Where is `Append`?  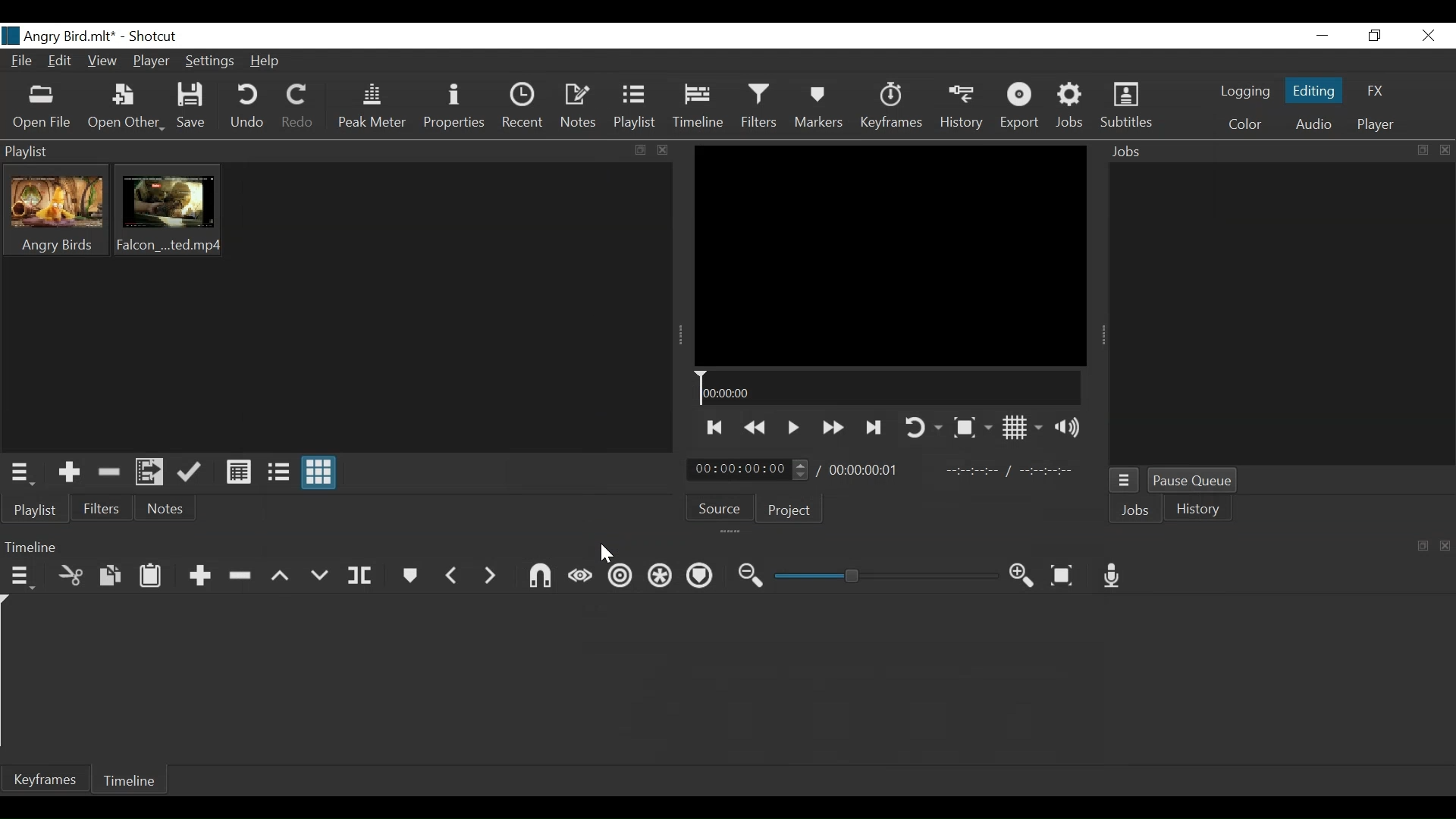
Append is located at coordinates (202, 578).